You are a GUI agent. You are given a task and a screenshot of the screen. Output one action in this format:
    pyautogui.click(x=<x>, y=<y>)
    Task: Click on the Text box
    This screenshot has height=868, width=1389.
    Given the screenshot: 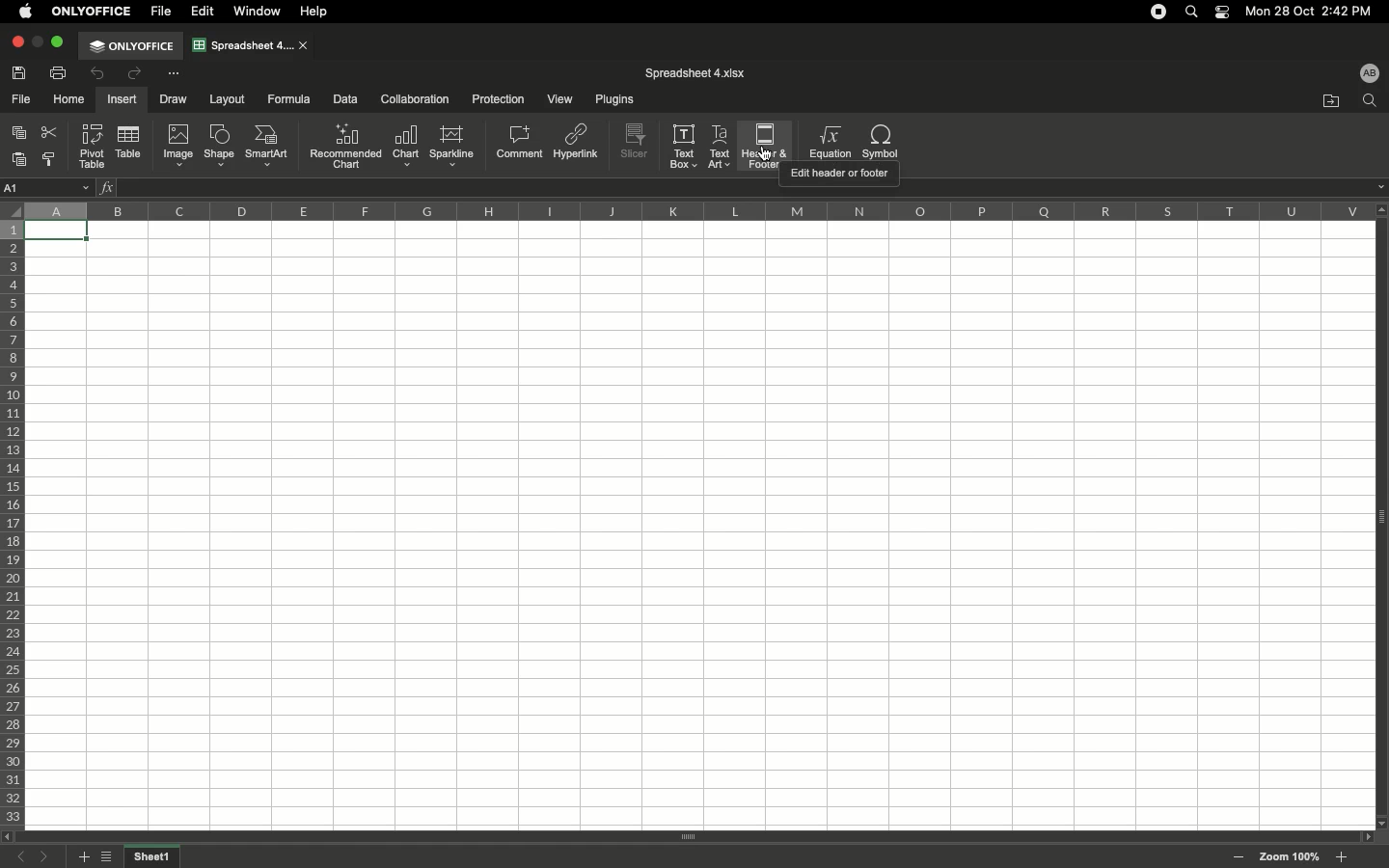 What is the action you would take?
    pyautogui.click(x=684, y=146)
    